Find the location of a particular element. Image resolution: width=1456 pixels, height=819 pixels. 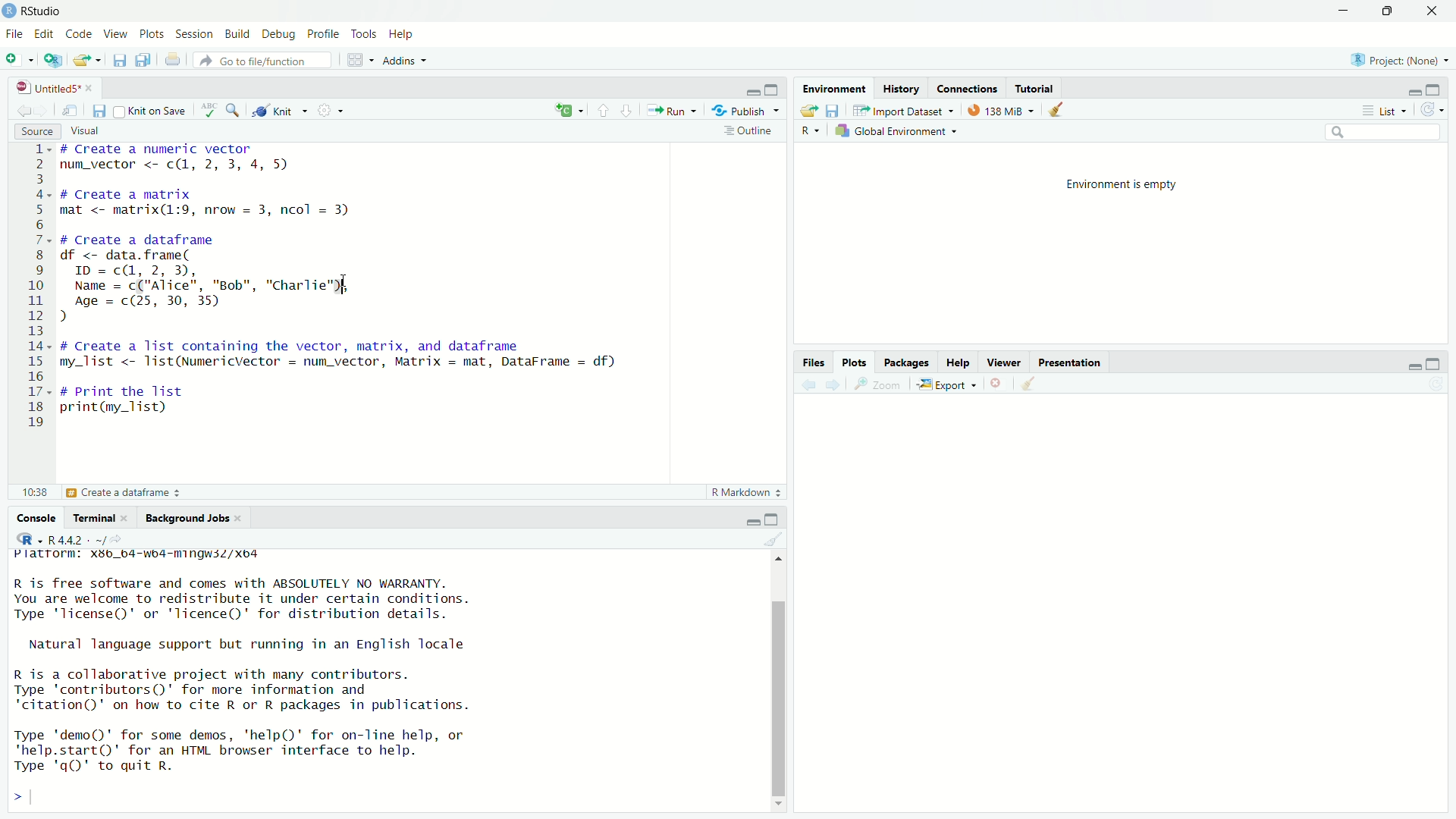

Session is located at coordinates (196, 33).